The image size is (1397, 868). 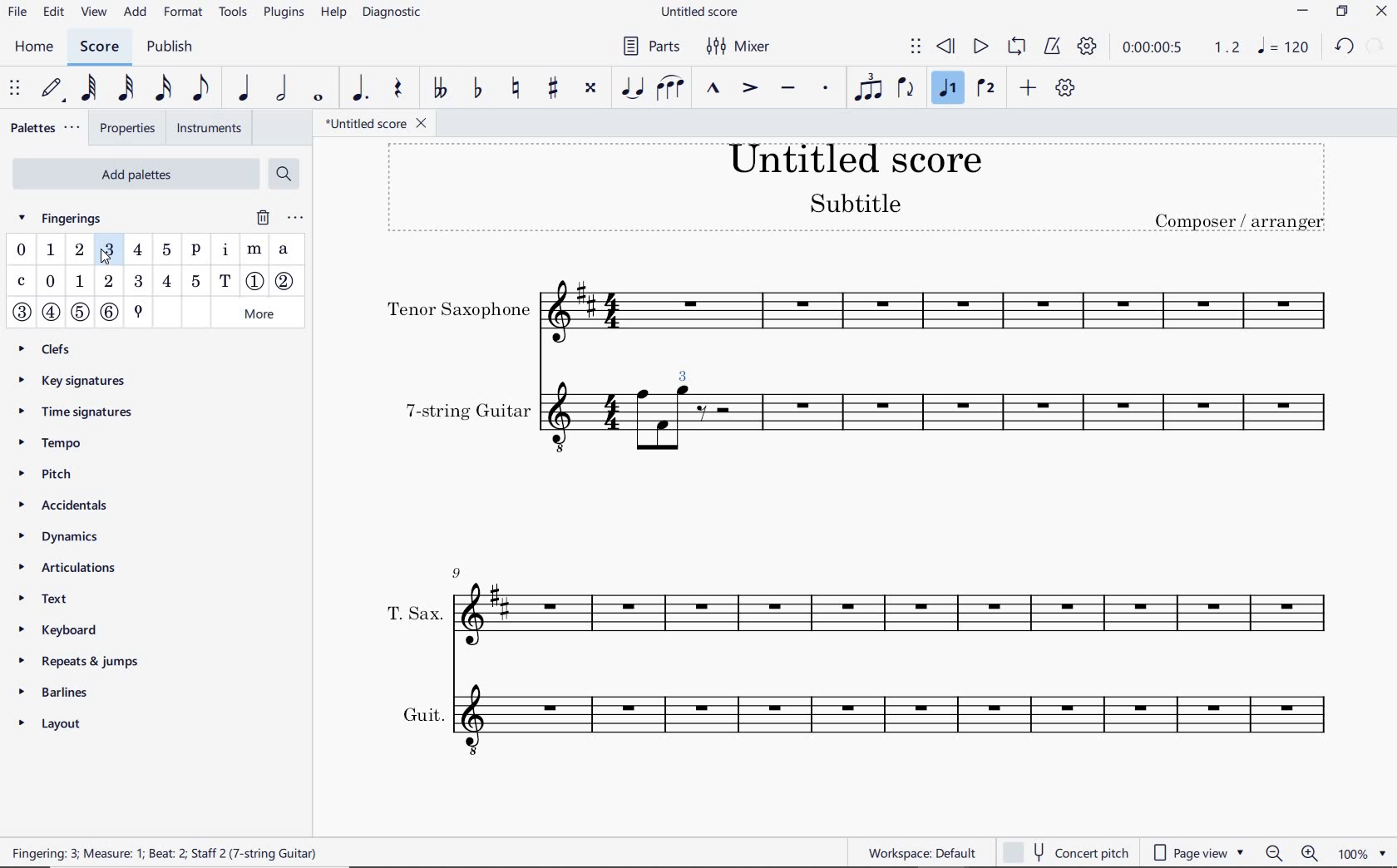 I want to click on TOGGLE NATURAL, so click(x=515, y=88).